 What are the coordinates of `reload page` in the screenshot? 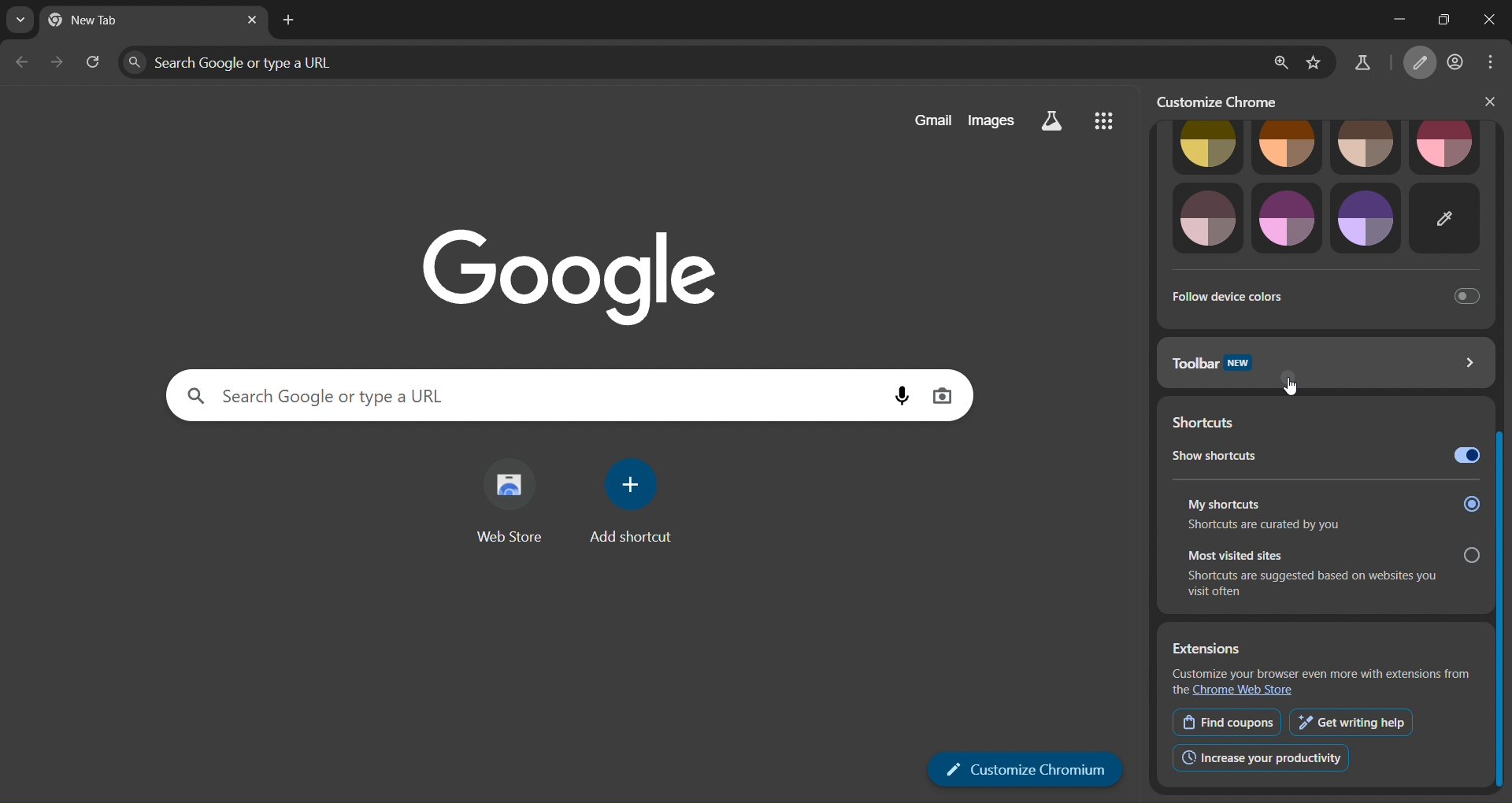 It's located at (93, 60).